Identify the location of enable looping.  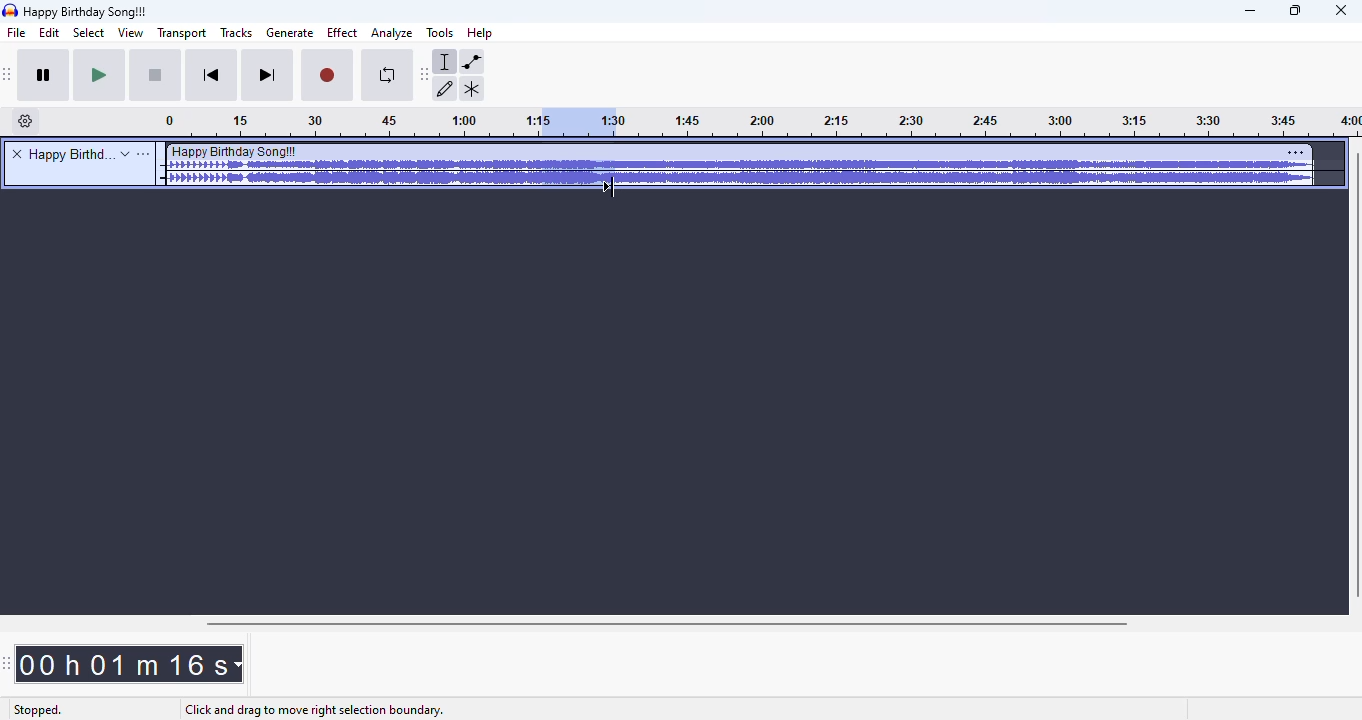
(384, 77).